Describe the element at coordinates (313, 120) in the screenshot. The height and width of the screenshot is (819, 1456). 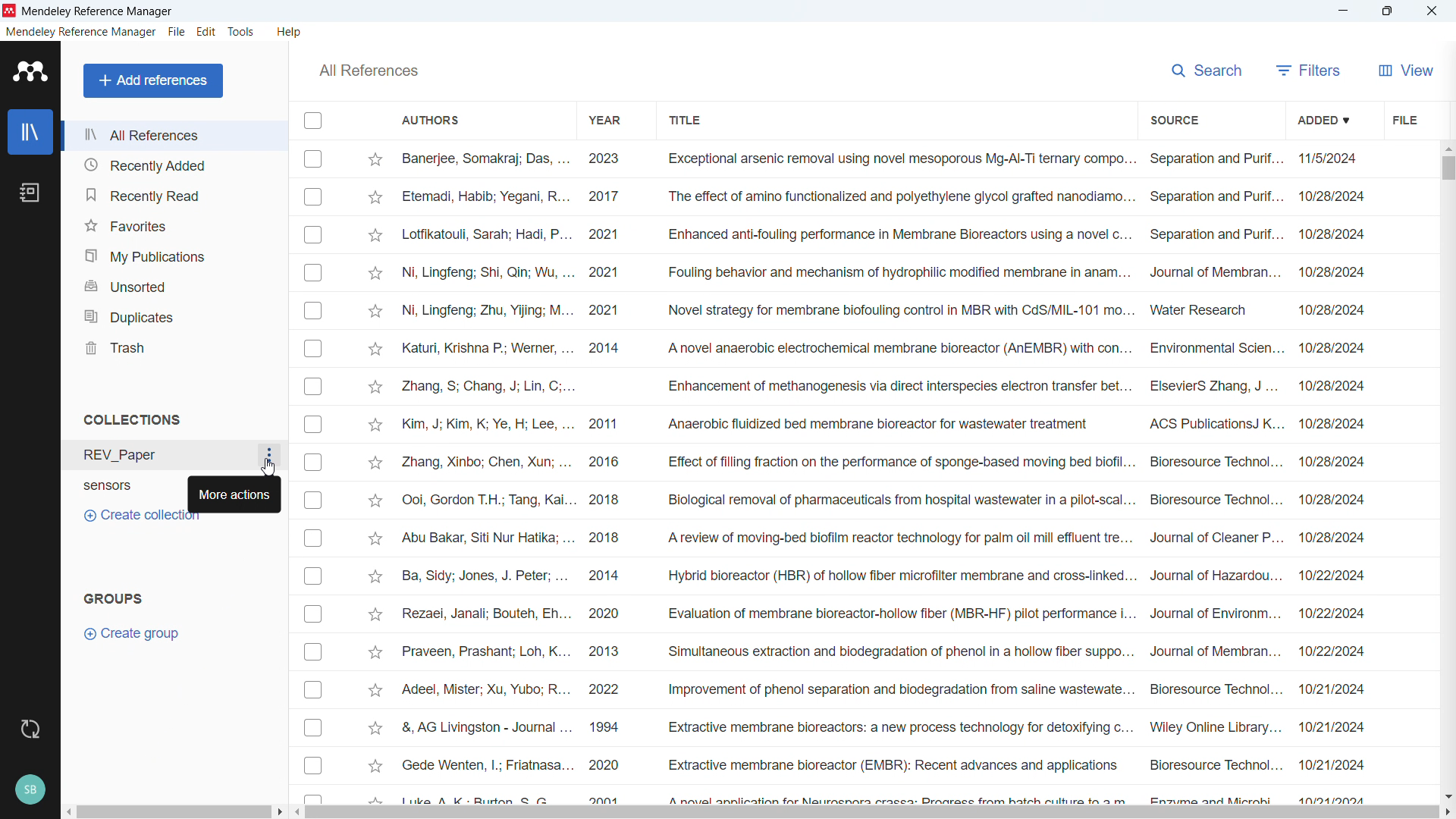
I see `Select all publications` at that location.